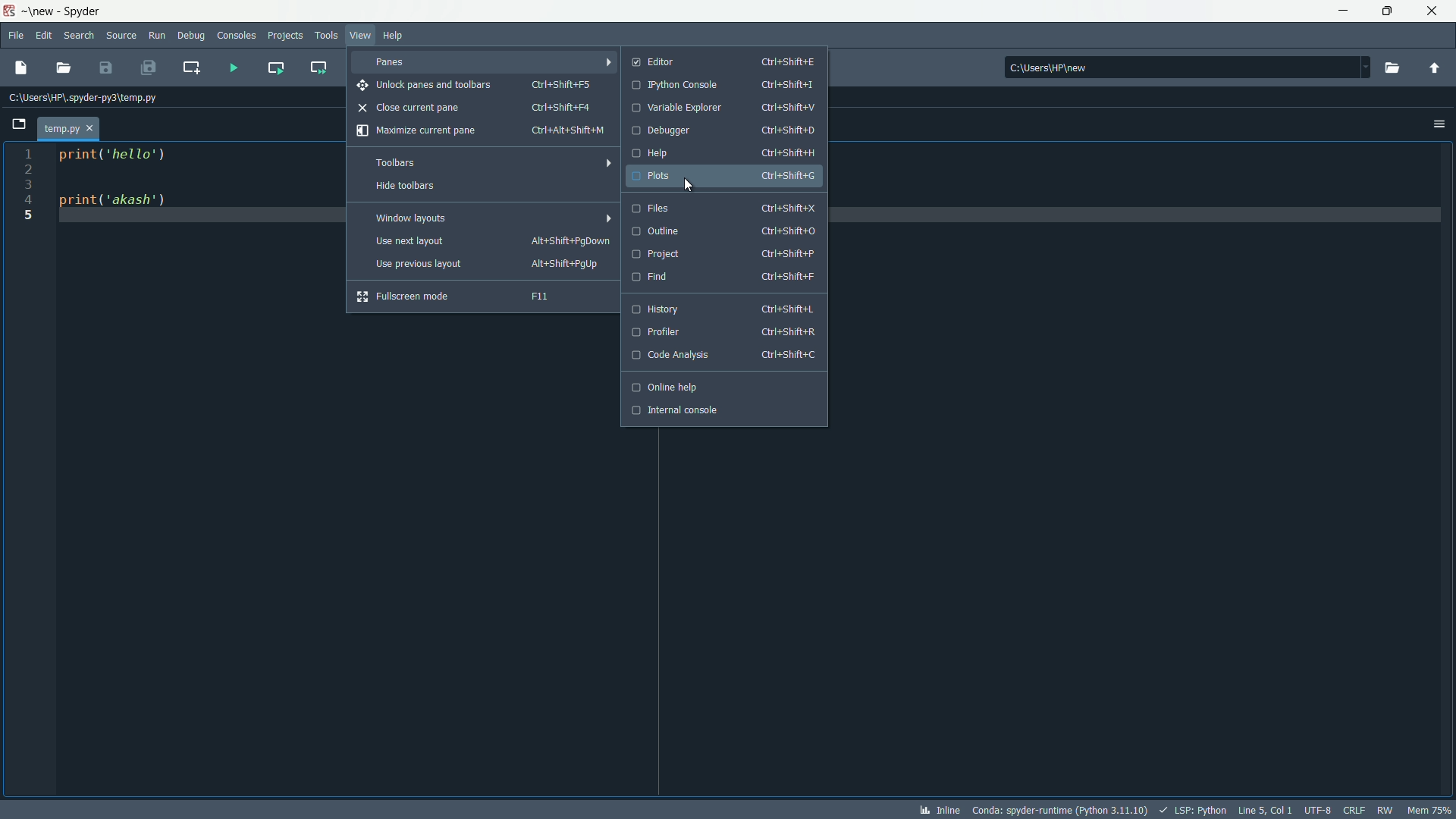 This screenshot has width=1456, height=819. What do you see at coordinates (123, 36) in the screenshot?
I see `source menu` at bounding box center [123, 36].